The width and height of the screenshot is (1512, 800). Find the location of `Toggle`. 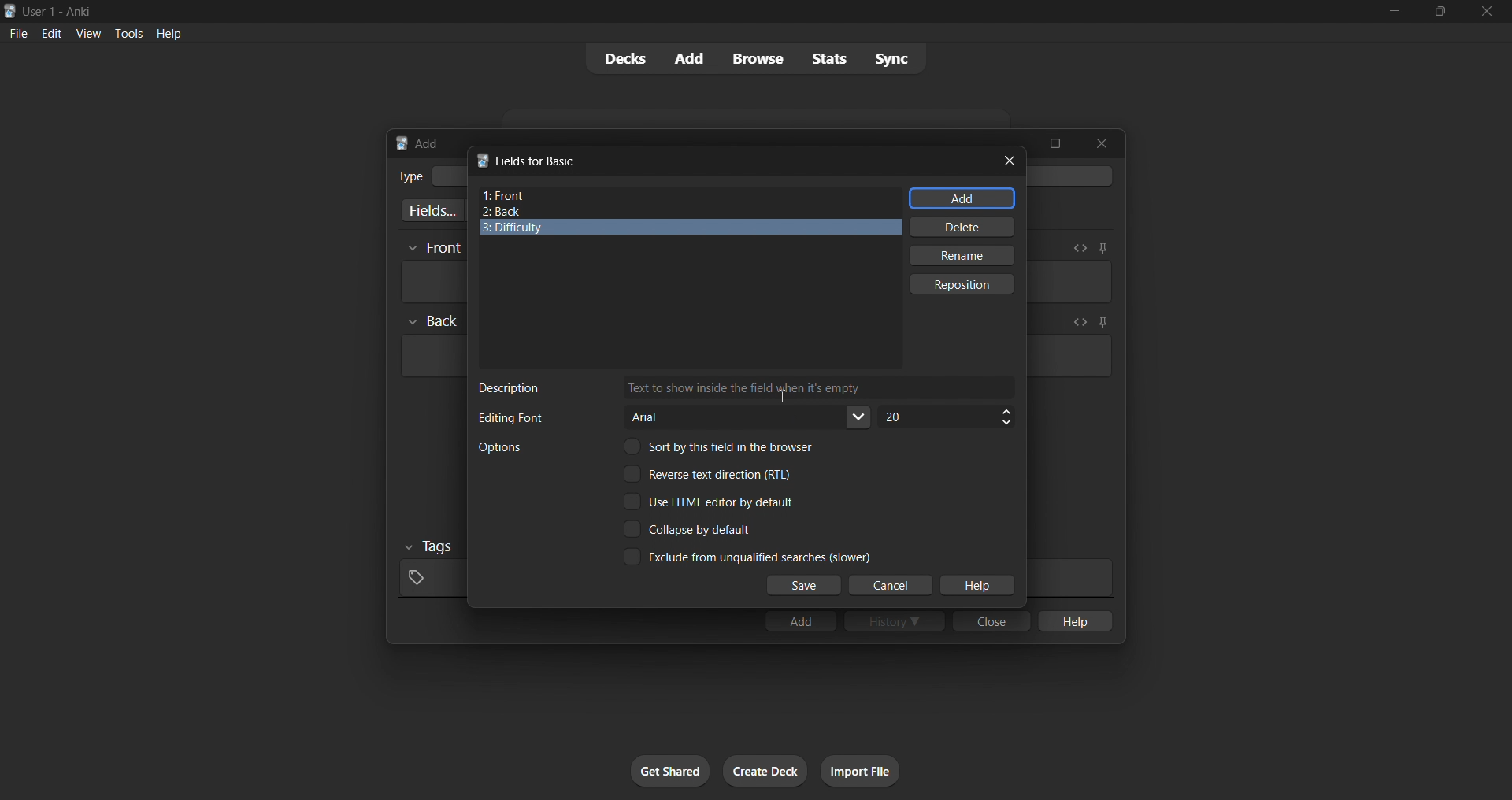

Toggle is located at coordinates (724, 446).